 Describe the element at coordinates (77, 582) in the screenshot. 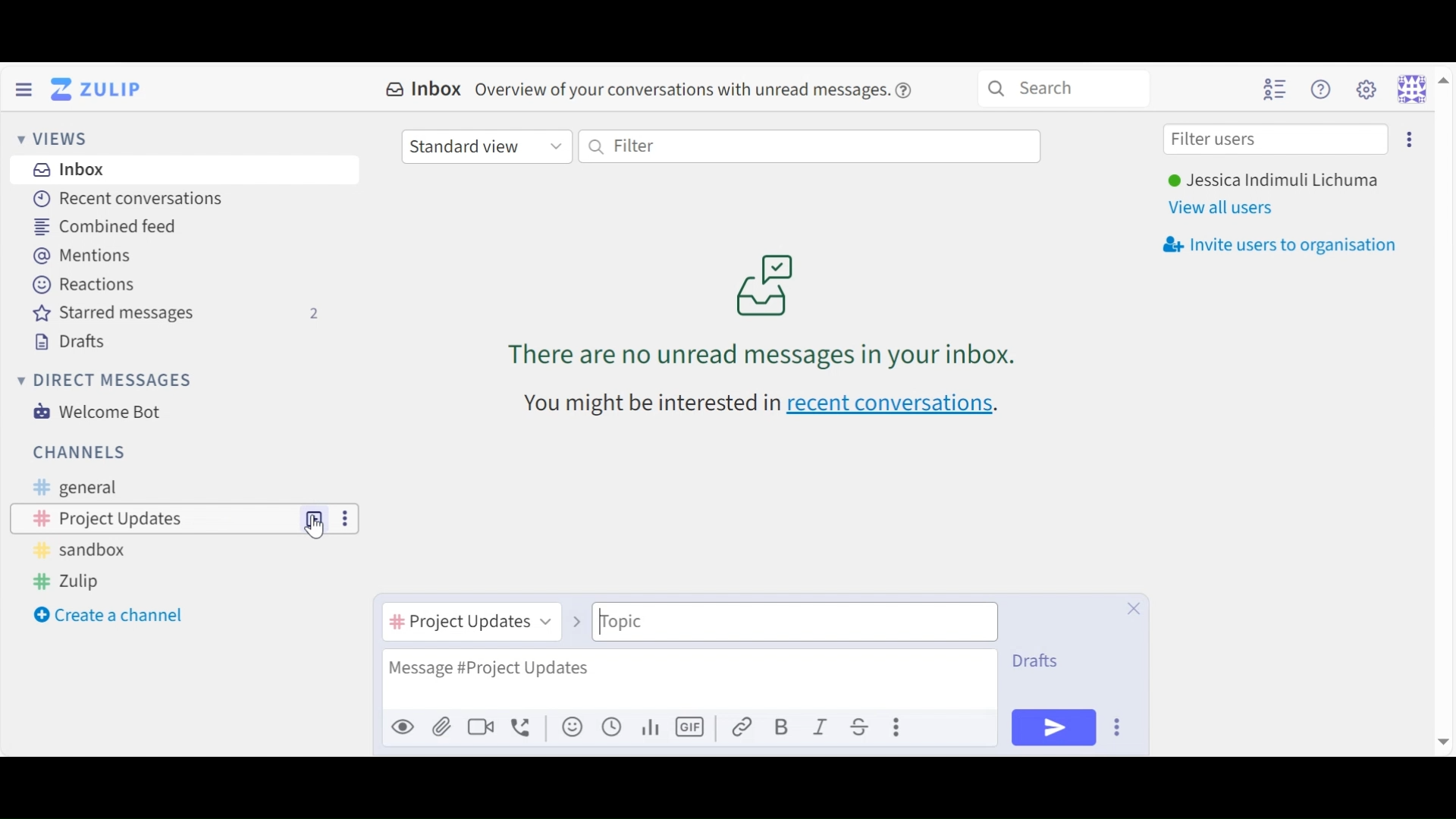

I see `Zulip Channel` at that location.